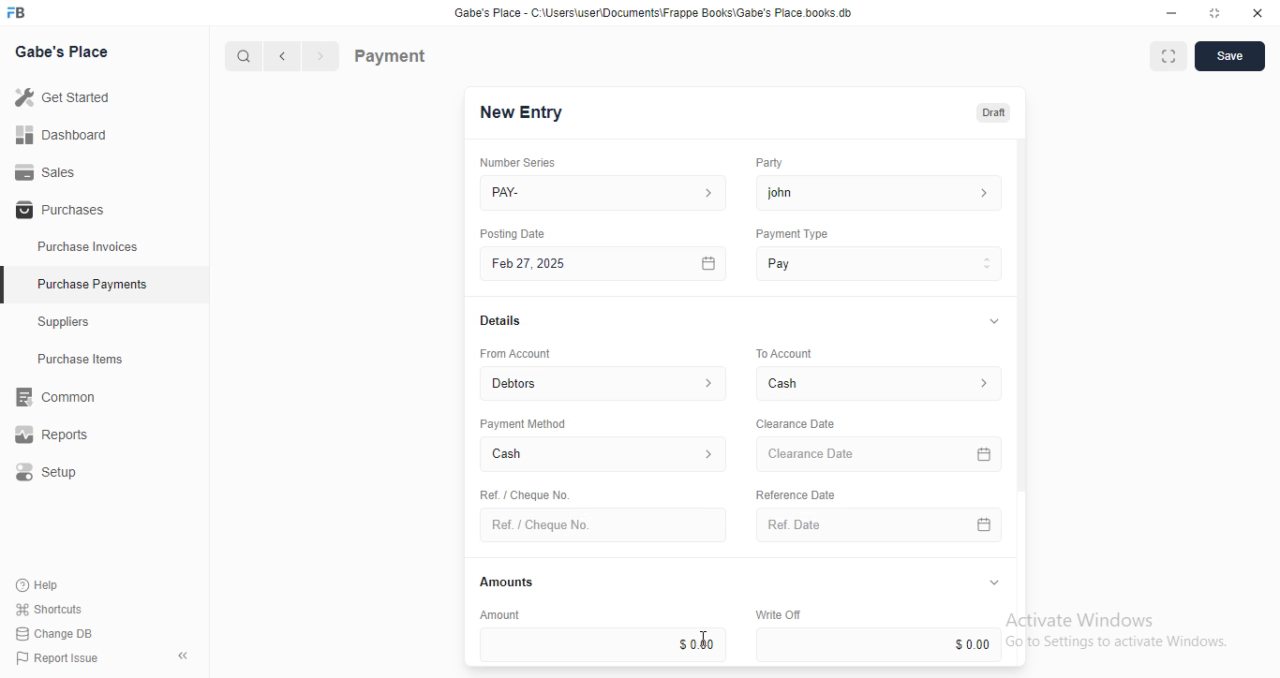 The height and width of the screenshot is (678, 1280). What do you see at coordinates (1168, 58) in the screenshot?
I see `fit to window` at bounding box center [1168, 58].